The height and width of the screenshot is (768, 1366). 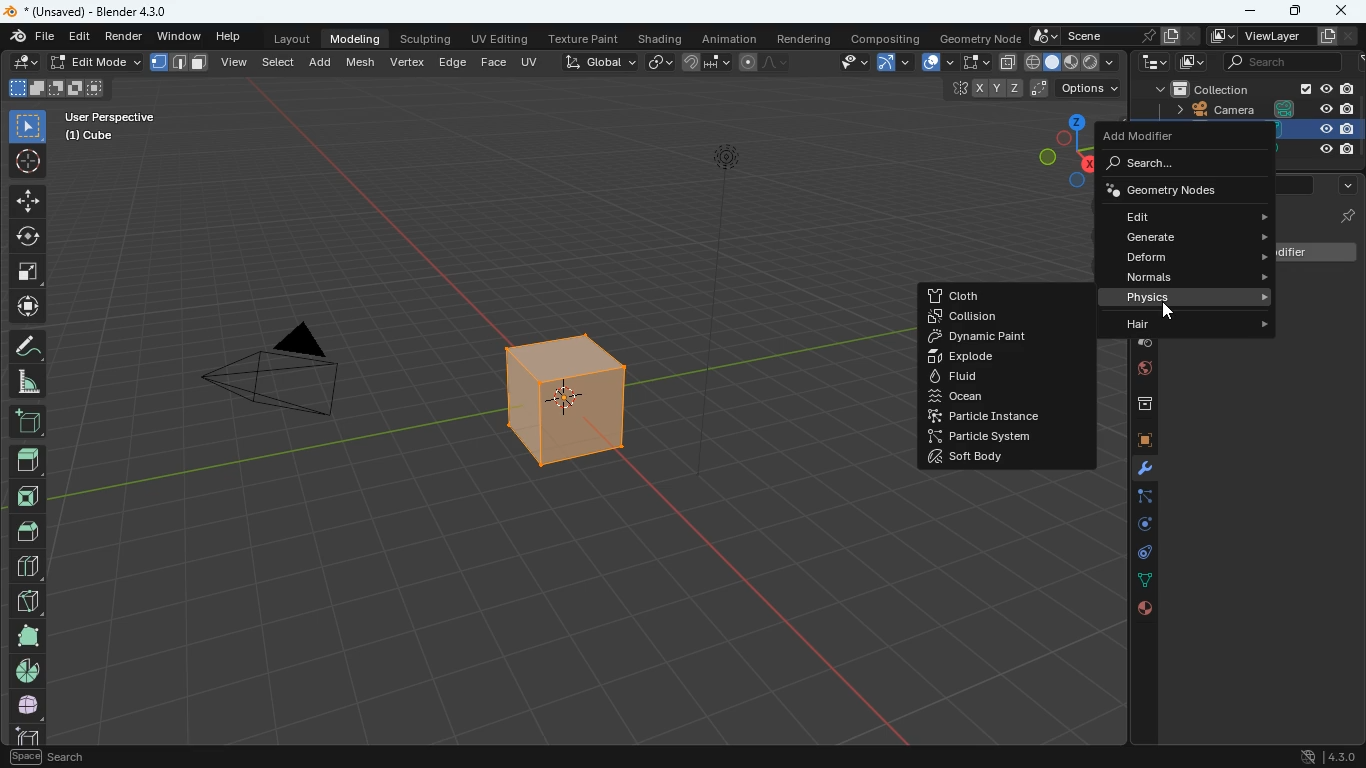 I want to click on join, so click(x=708, y=65).